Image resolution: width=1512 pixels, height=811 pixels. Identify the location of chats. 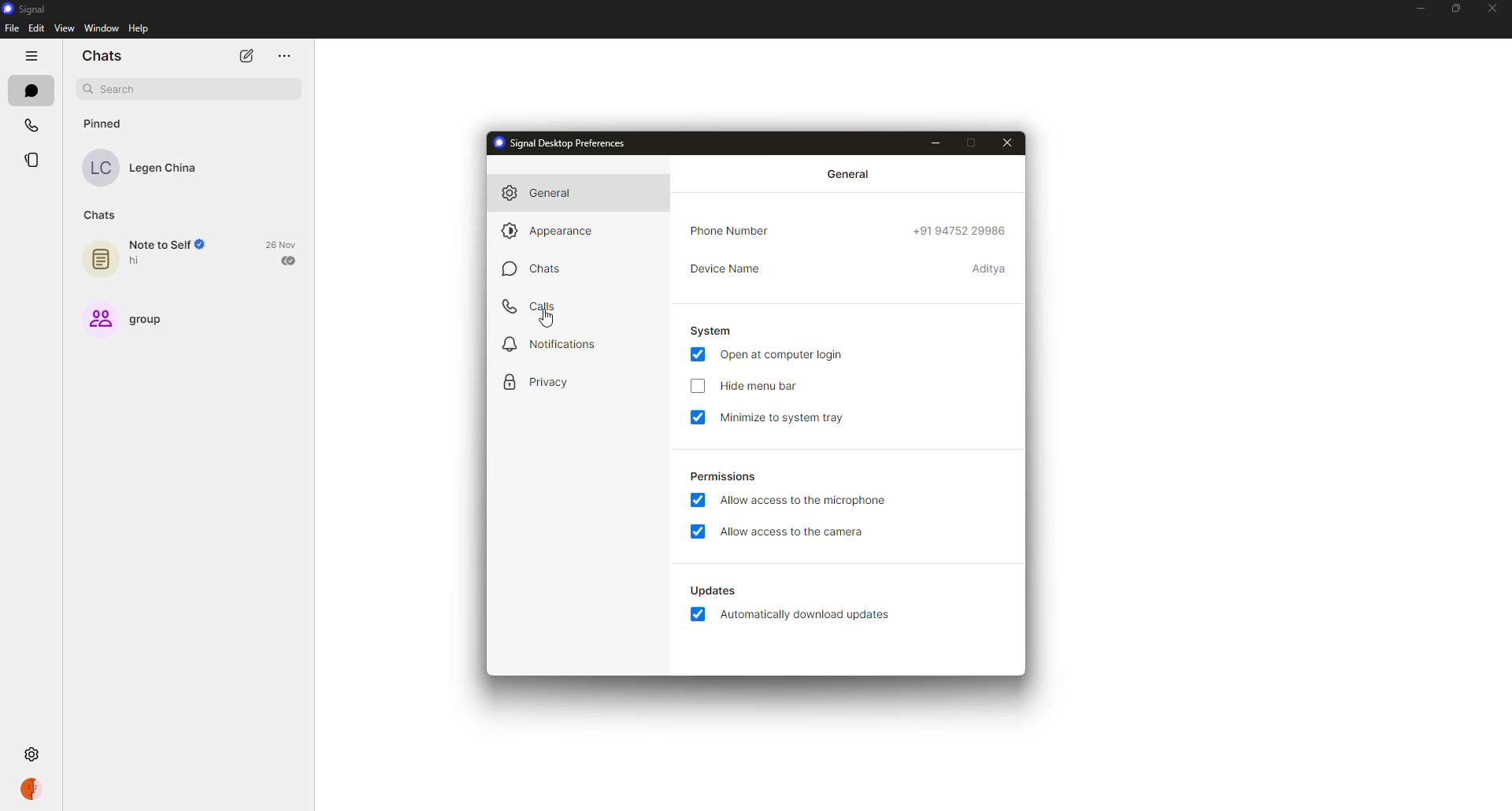
(102, 56).